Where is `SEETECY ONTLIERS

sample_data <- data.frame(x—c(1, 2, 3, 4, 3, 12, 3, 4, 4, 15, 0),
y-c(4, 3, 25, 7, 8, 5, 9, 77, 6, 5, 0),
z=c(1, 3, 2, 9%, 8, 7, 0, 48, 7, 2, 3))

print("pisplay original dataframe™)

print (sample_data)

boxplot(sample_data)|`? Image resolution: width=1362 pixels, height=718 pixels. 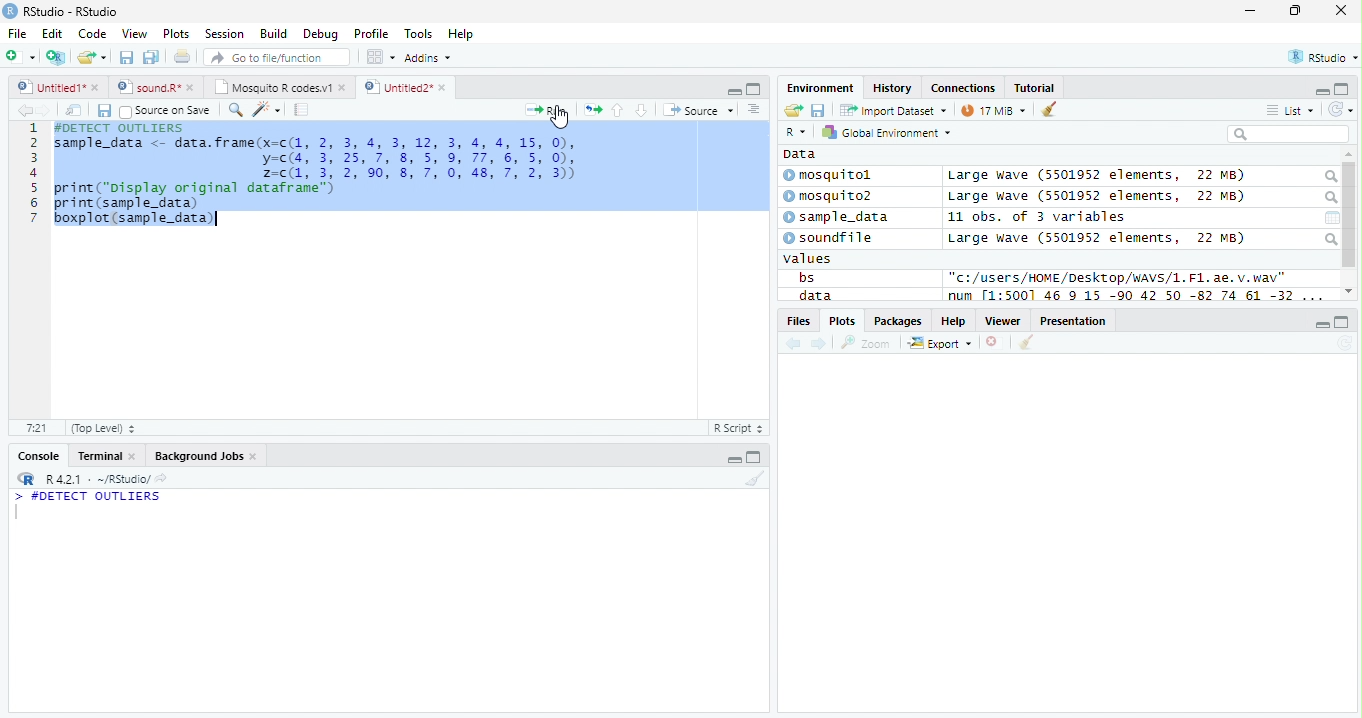 SEETECY ONTLIERS

sample_data <- data.frame(x—c(1, 2, 3, 4, 3, 12, 3, 4, 4, 15, 0),
y-c(4, 3, 25, 7, 8, 5, 9, 77, 6, 5, 0),
z=c(1, 3, 2, 9%, 8, 7, 0, 48, 7, 2, 3))

print("pisplay original dataframe™)

print (sample_data)

boxplot(sample_data)| is located at coordinates (318, 175).